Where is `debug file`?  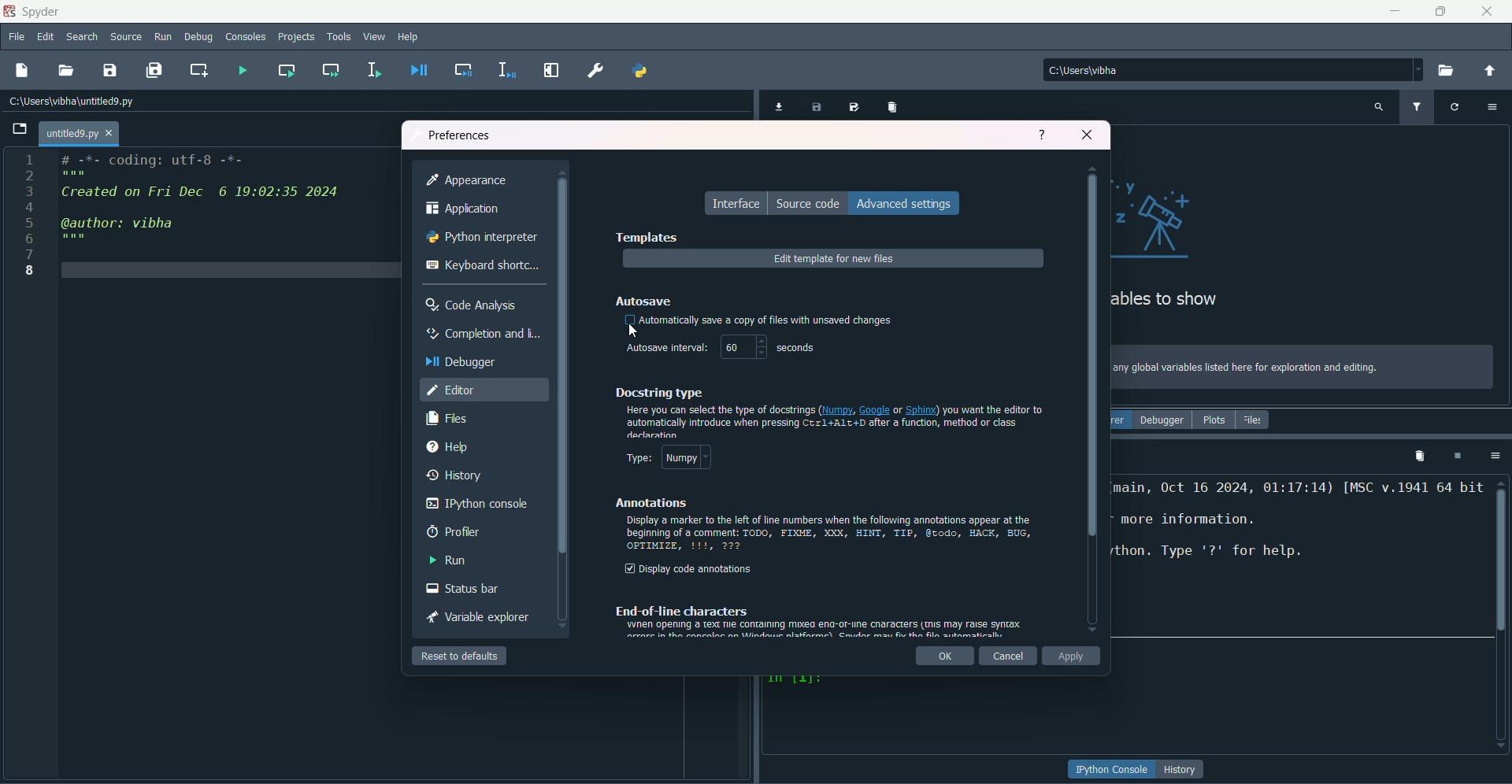
debug file is located at coordinates (414, 70).